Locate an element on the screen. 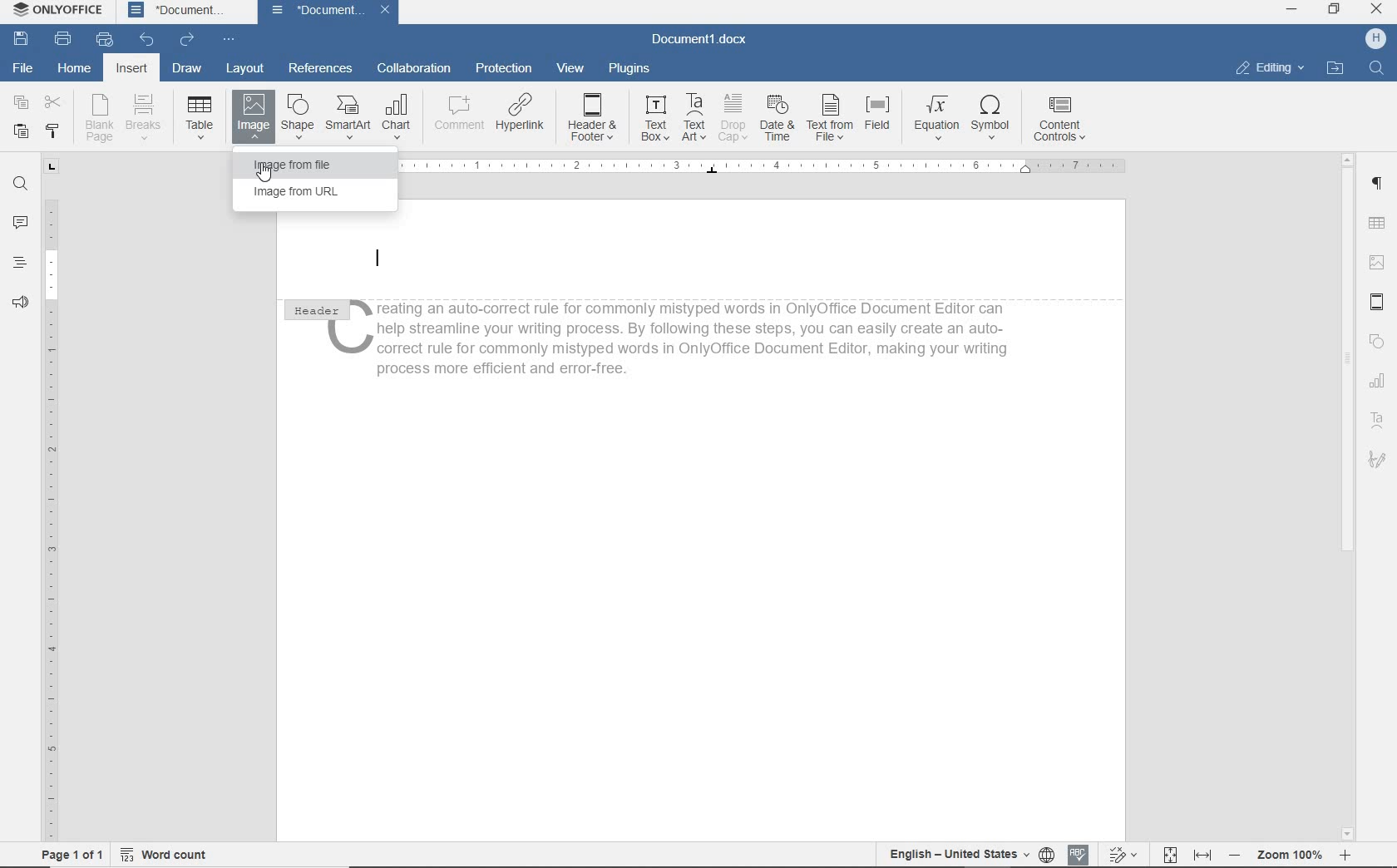 This screenshot has width=1397, height=868. DRAW is located at coordinates (187, 69).